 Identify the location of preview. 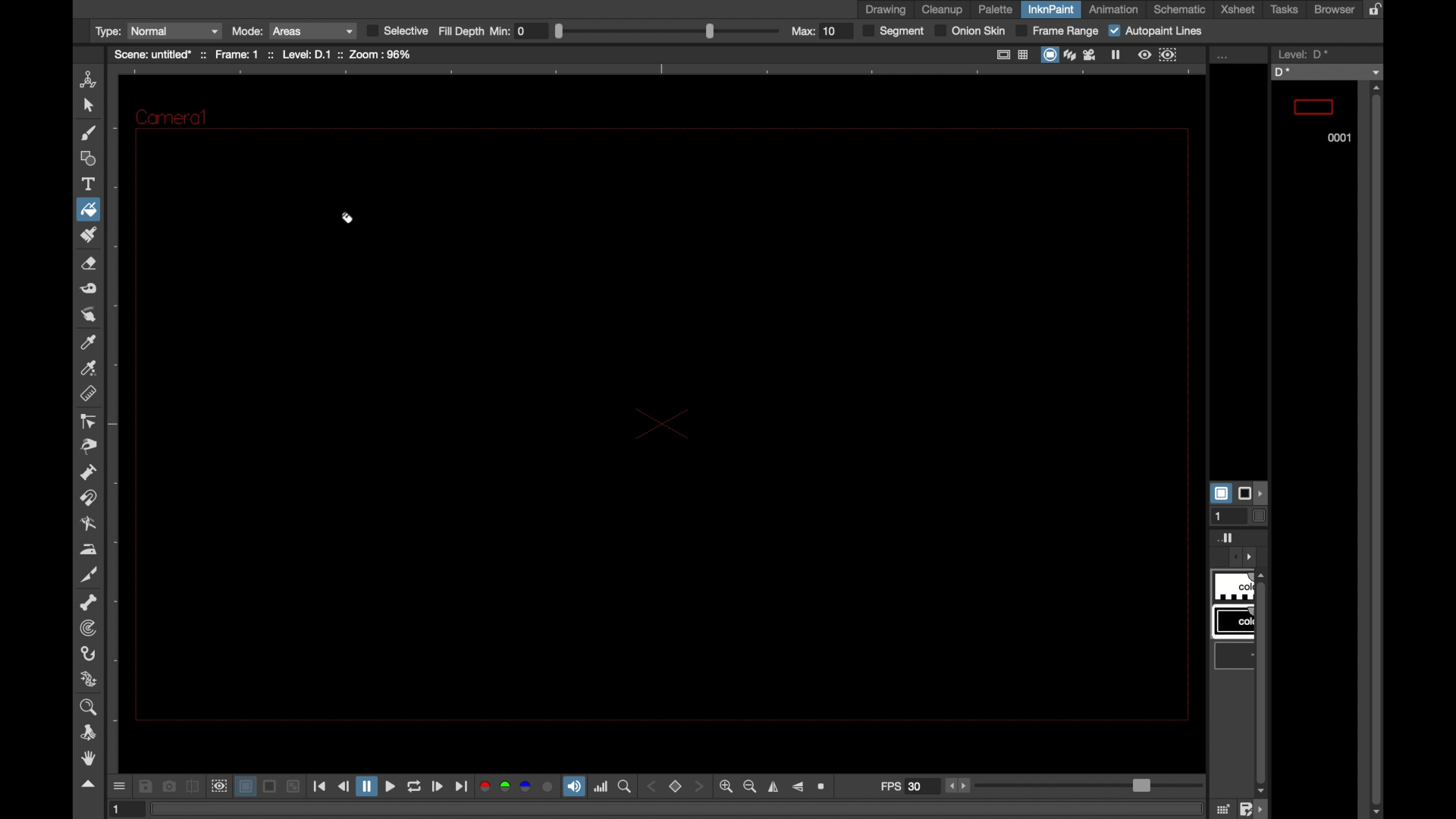
(219, 787).